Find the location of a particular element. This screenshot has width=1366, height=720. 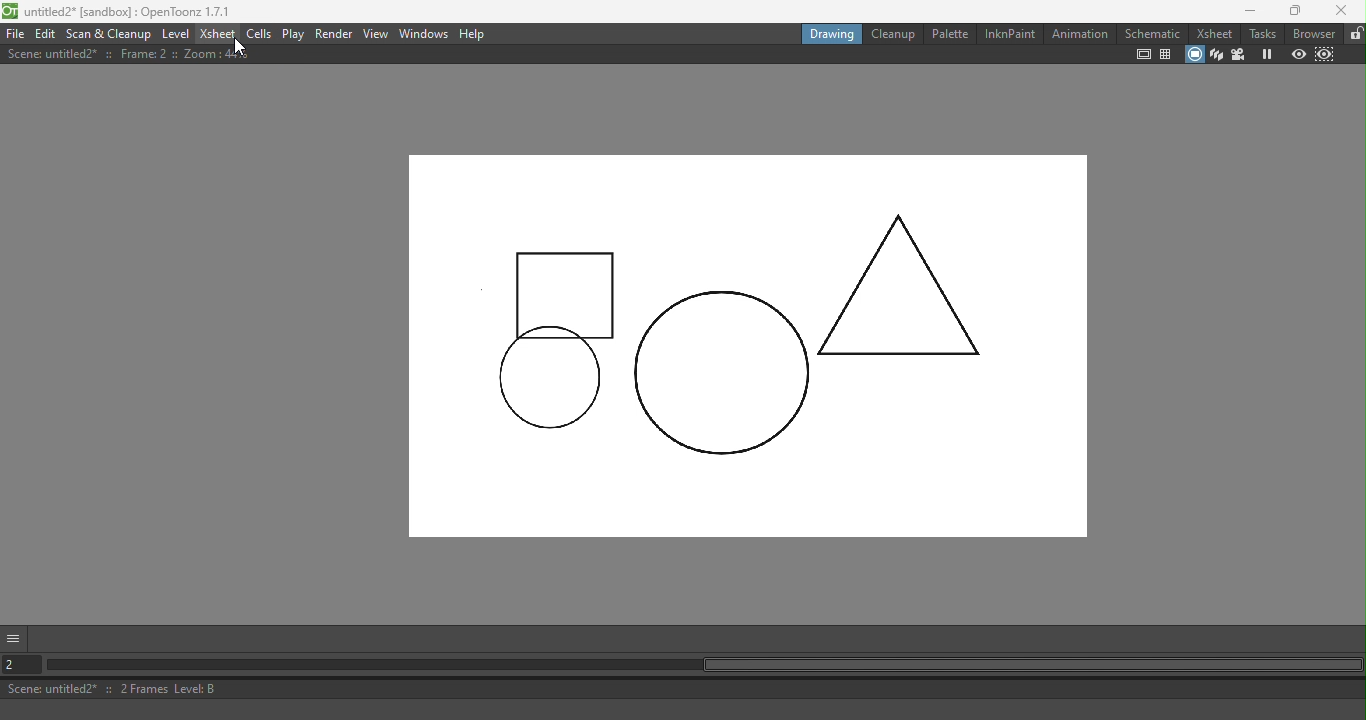

Sub-camera preview is located at coordinates (1323, 55).